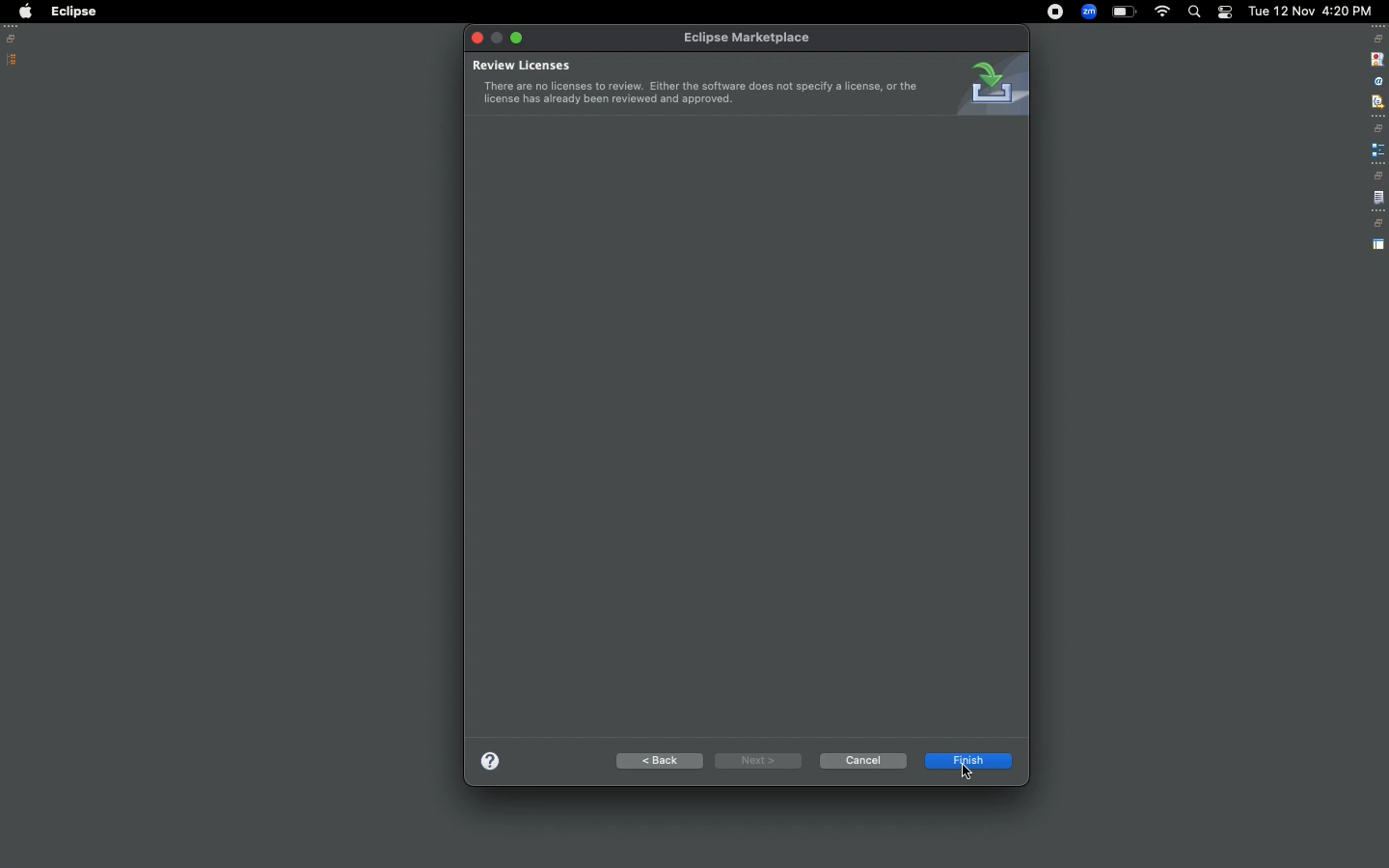 The height and width of the screenshot is (868, 1389). Describe the element at coordinates (968, 773) in the screenshot. I see `cursor` at that location.